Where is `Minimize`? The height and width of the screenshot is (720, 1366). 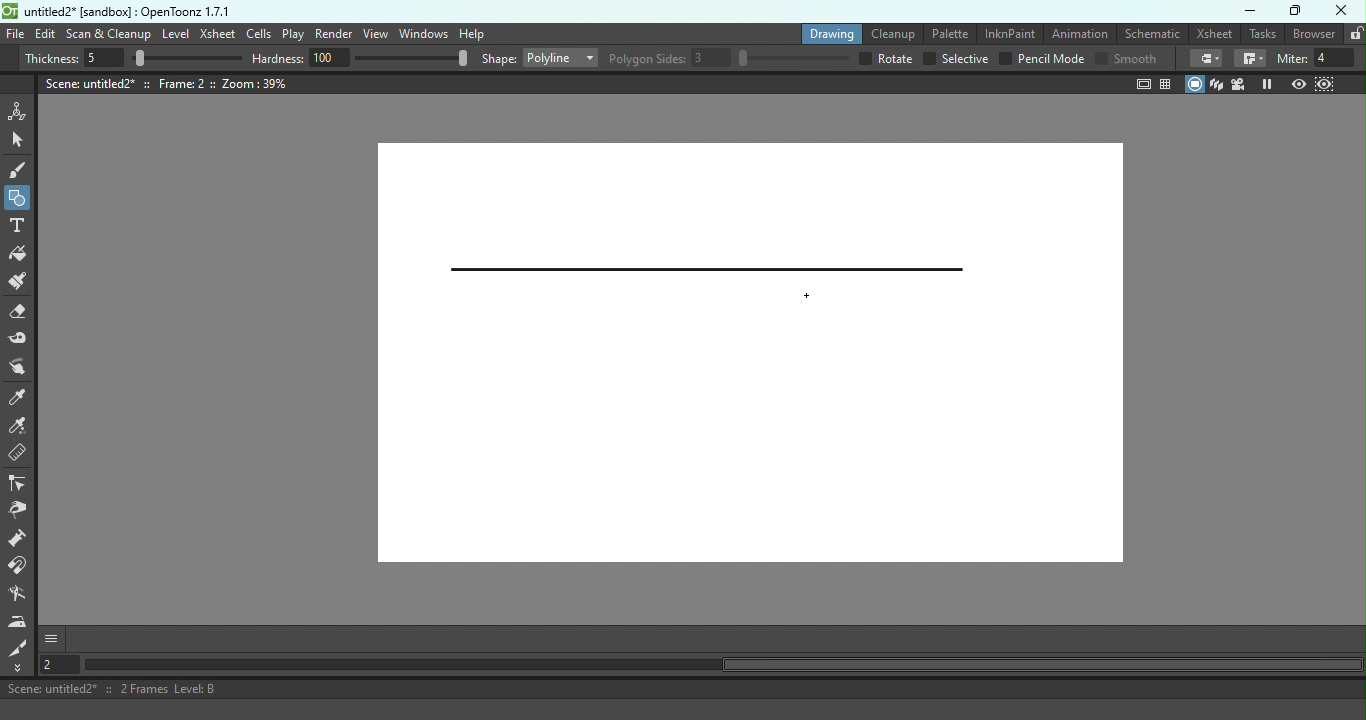
Minimize is located at coordinates (1251, 11).